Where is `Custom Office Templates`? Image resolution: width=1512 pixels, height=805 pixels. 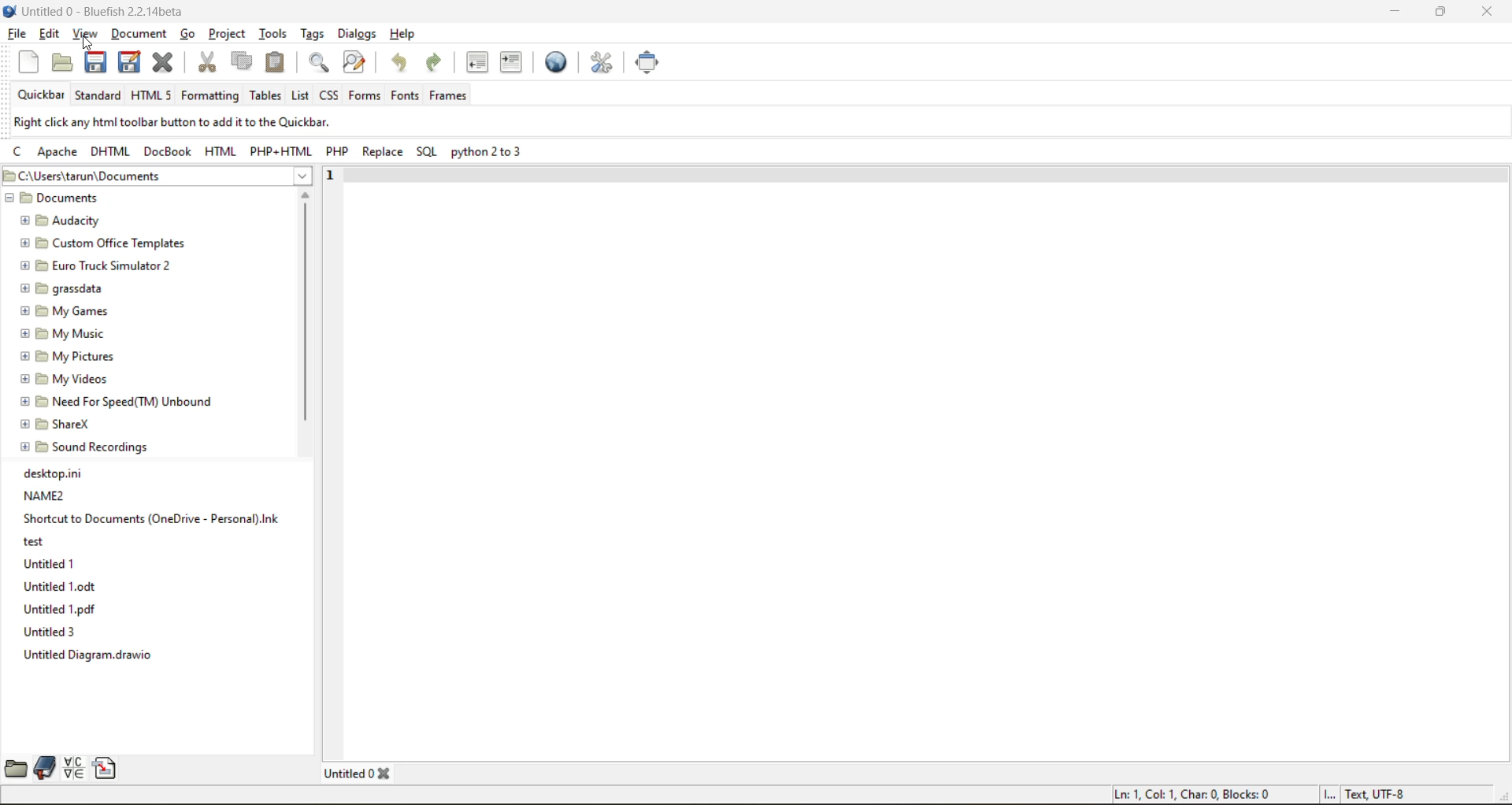
Custom Office Templates is located at coordinates (108, 243).